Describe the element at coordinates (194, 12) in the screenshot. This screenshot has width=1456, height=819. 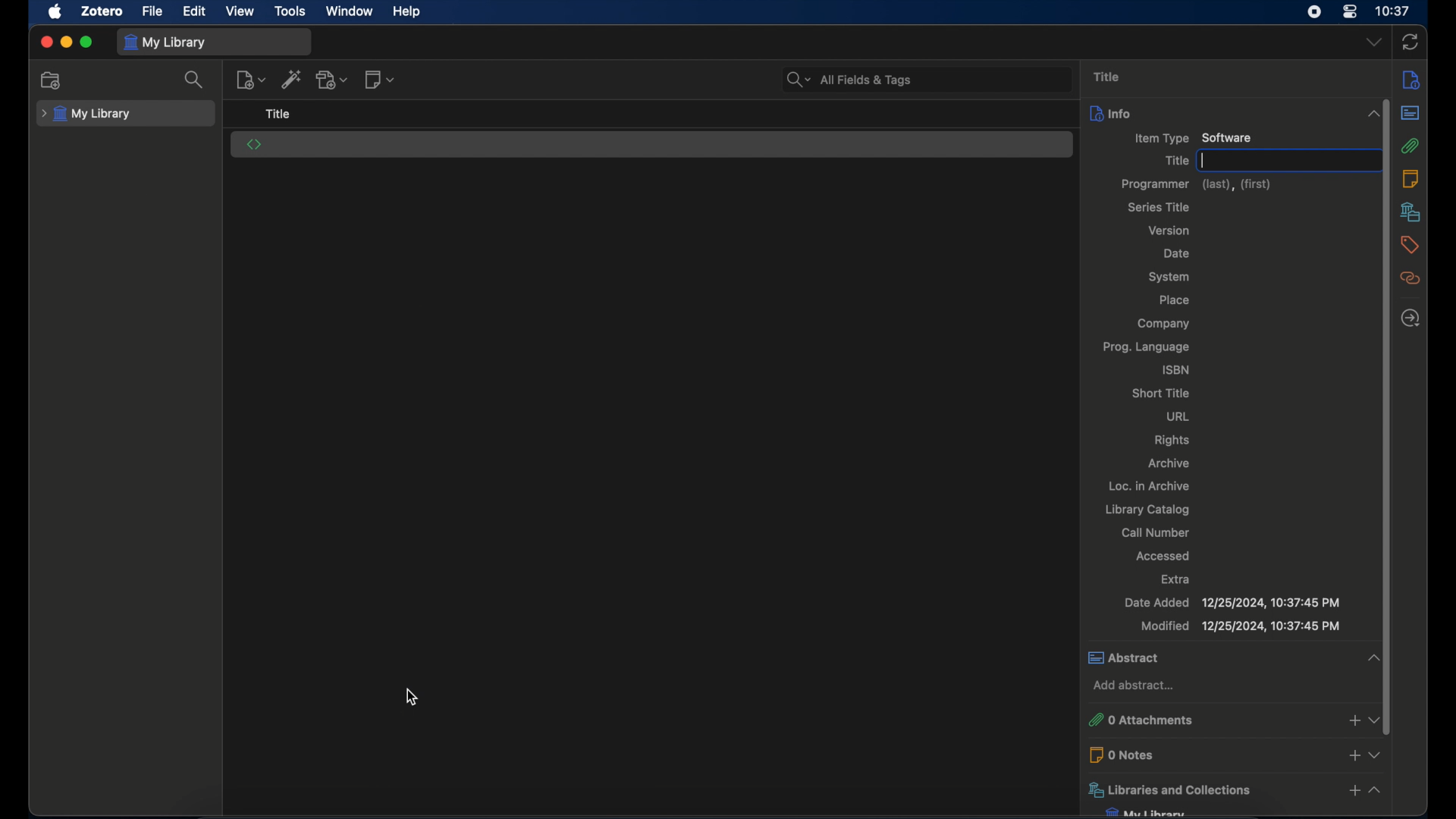
I see `edit` at that location.